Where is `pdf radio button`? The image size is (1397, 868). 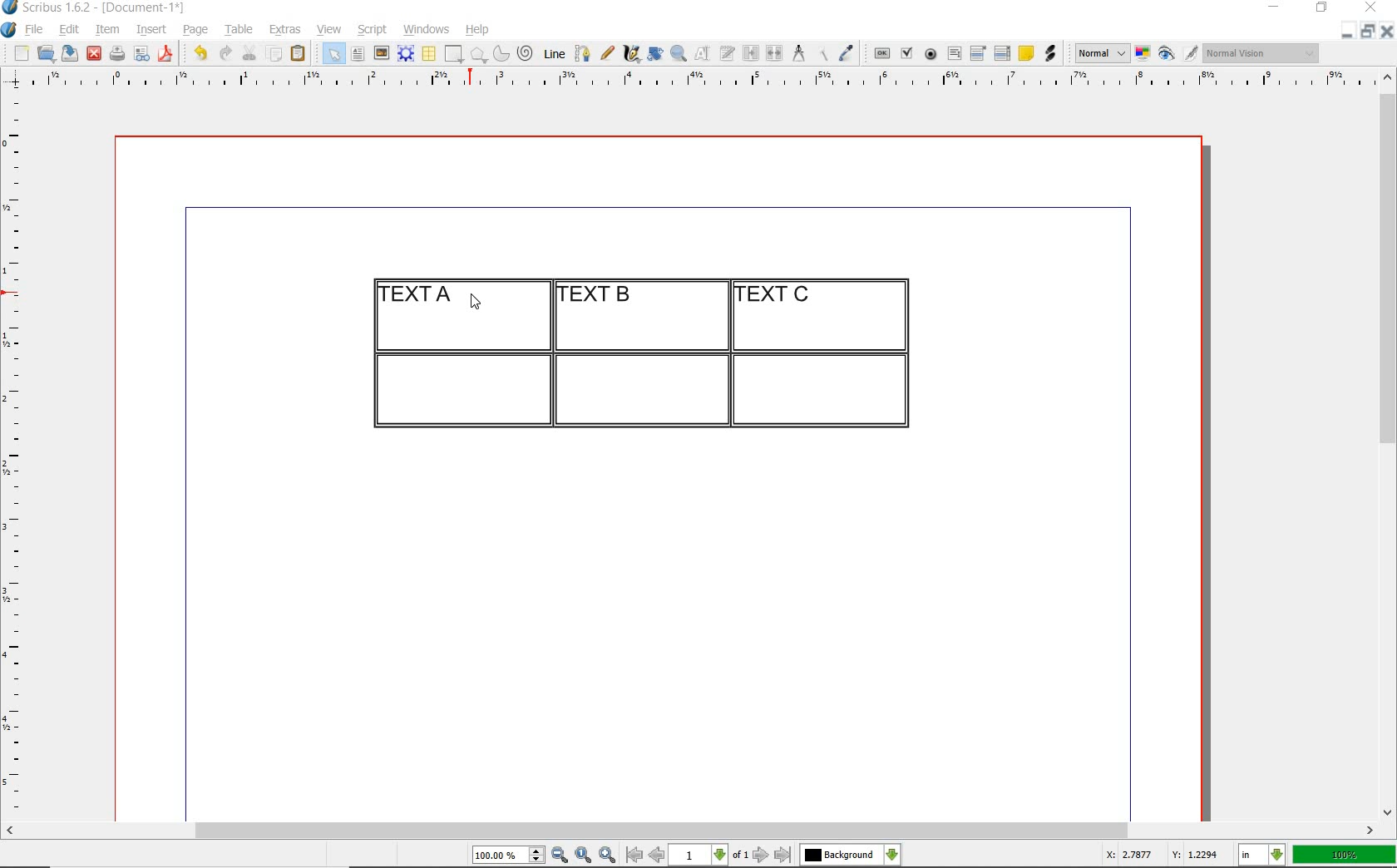
pdf radio button is located at coordinates (931, 56).